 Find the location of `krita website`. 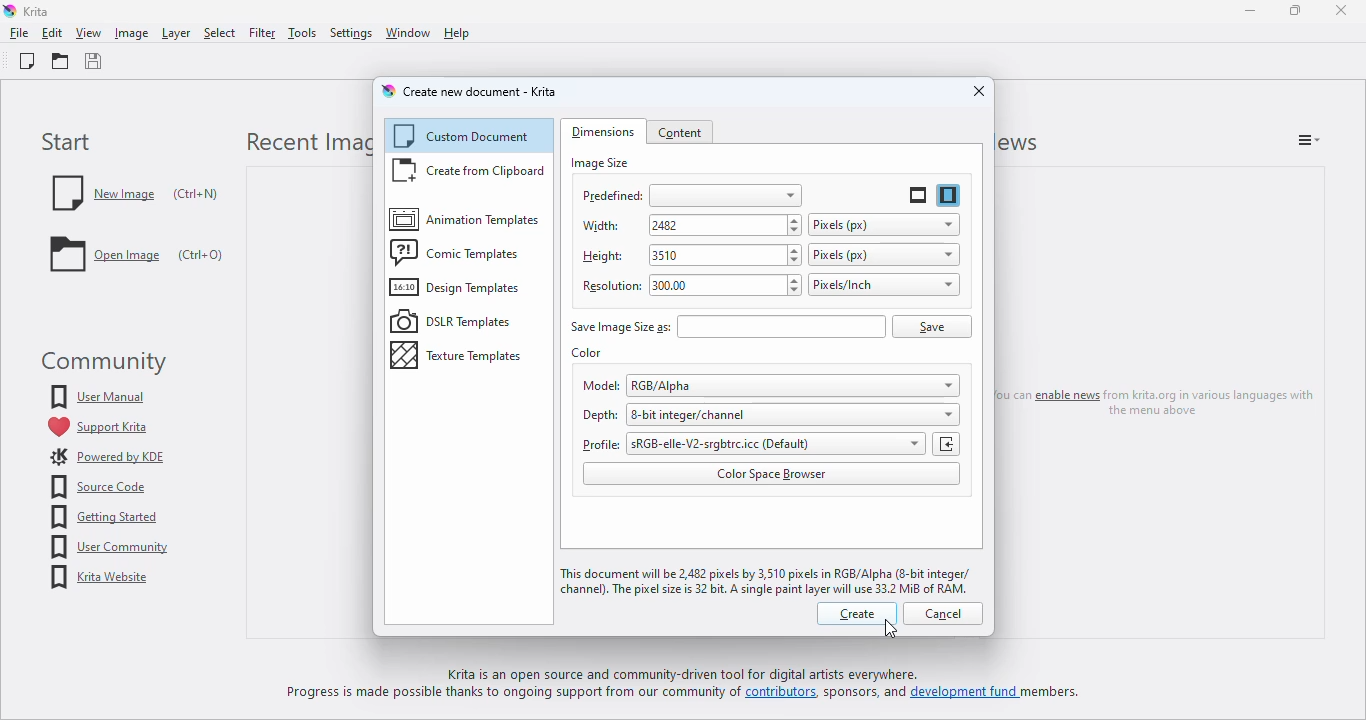

krita website is located at coordinates (101, 578).